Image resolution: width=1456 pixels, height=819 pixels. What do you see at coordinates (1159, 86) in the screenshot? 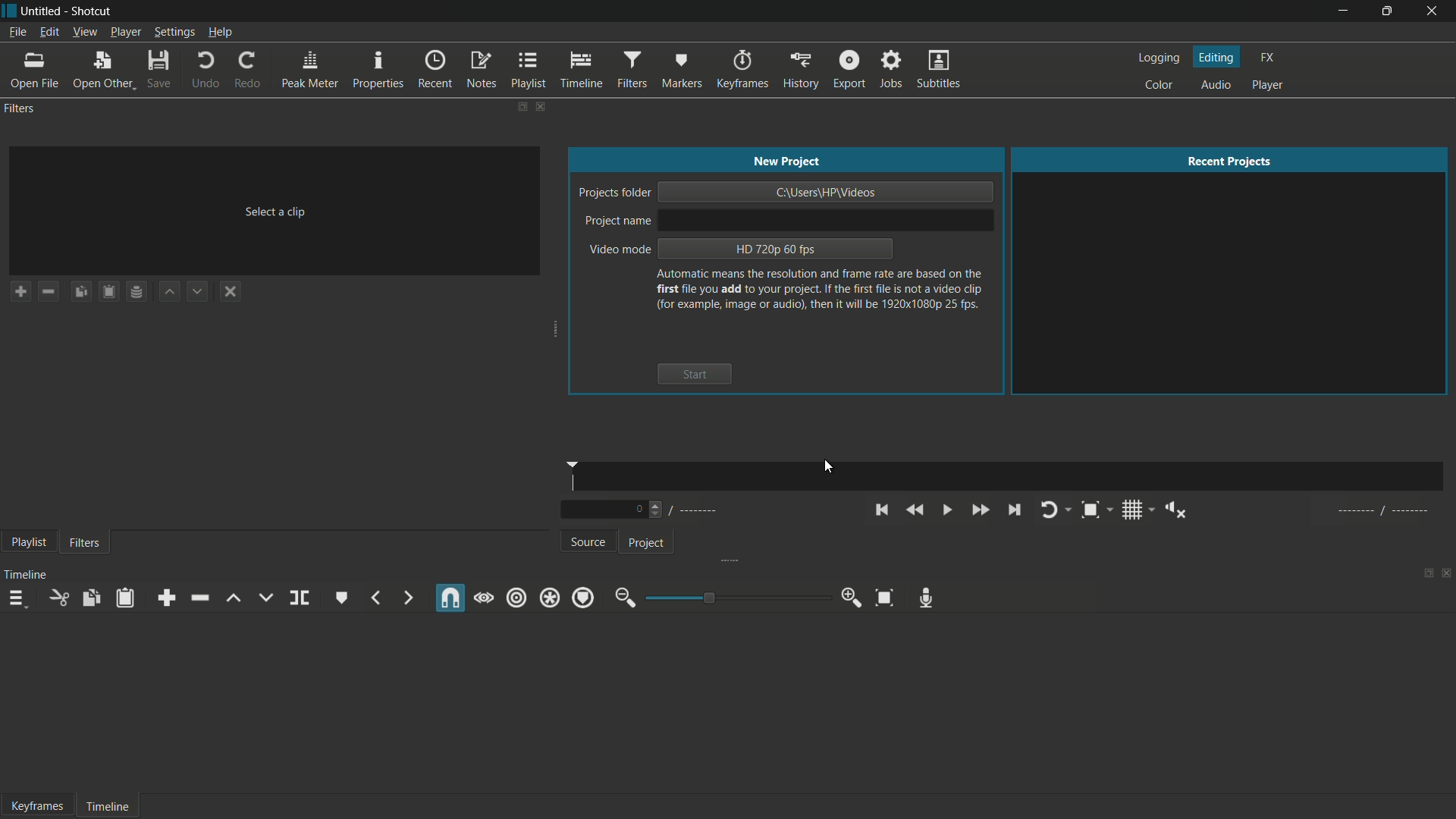
I see `color` at bounding box center [1159, 86].